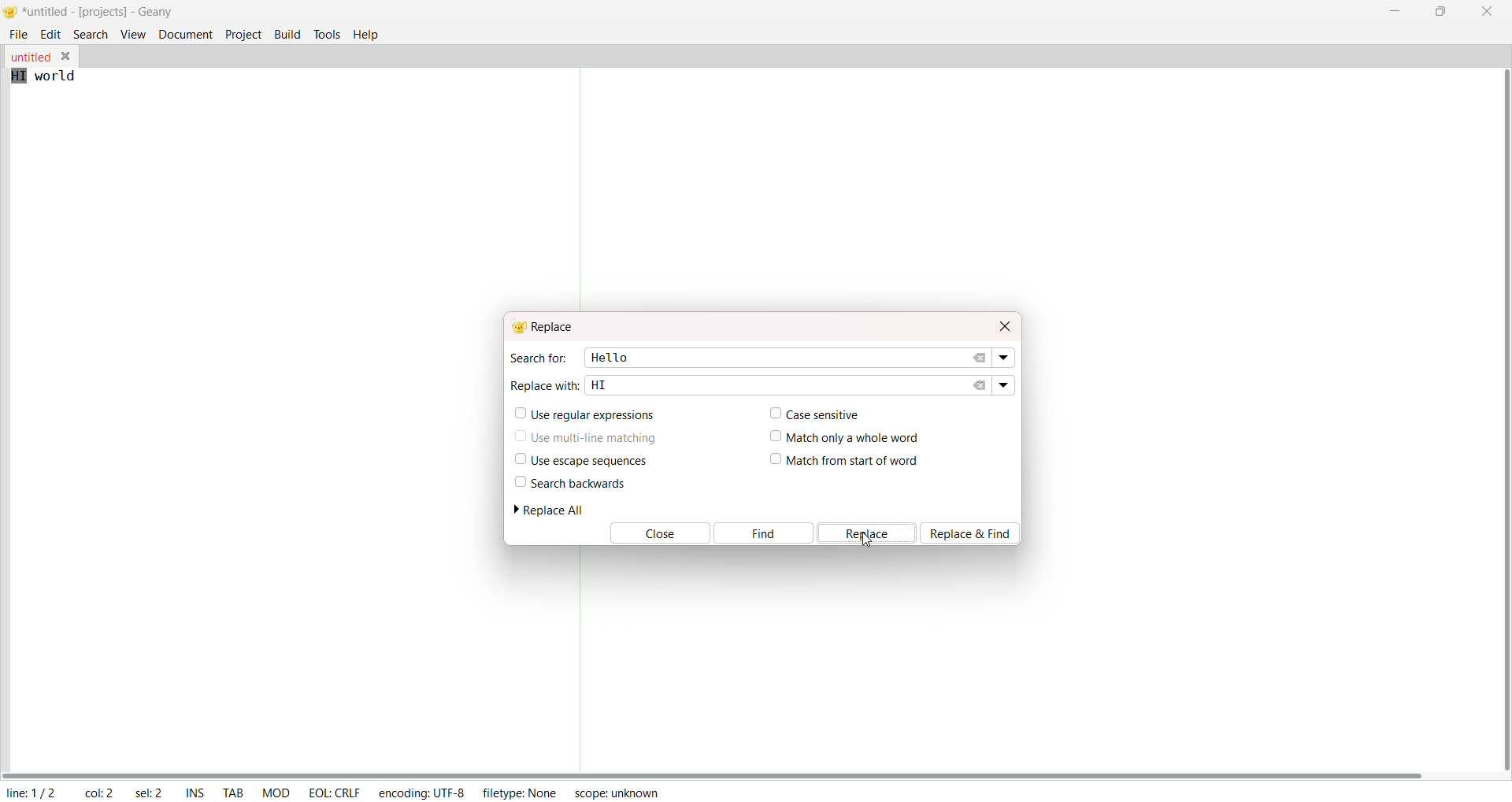 This screenshot has width=1512, height=802. Describe the element at coordinates (195, 794) in the screenshot. I see `ins` at that location.